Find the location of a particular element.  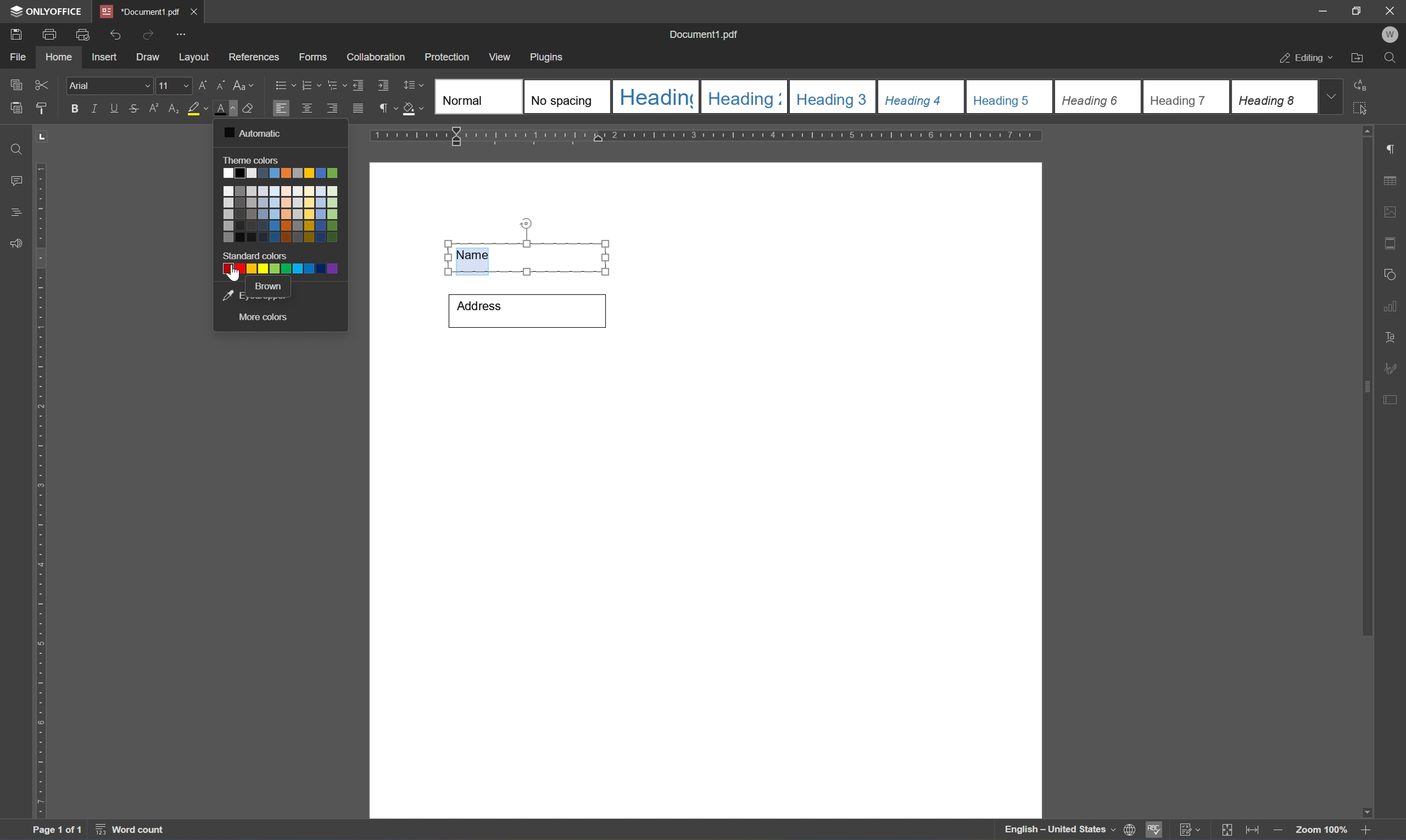

find is located at coordinates (1390, 58).